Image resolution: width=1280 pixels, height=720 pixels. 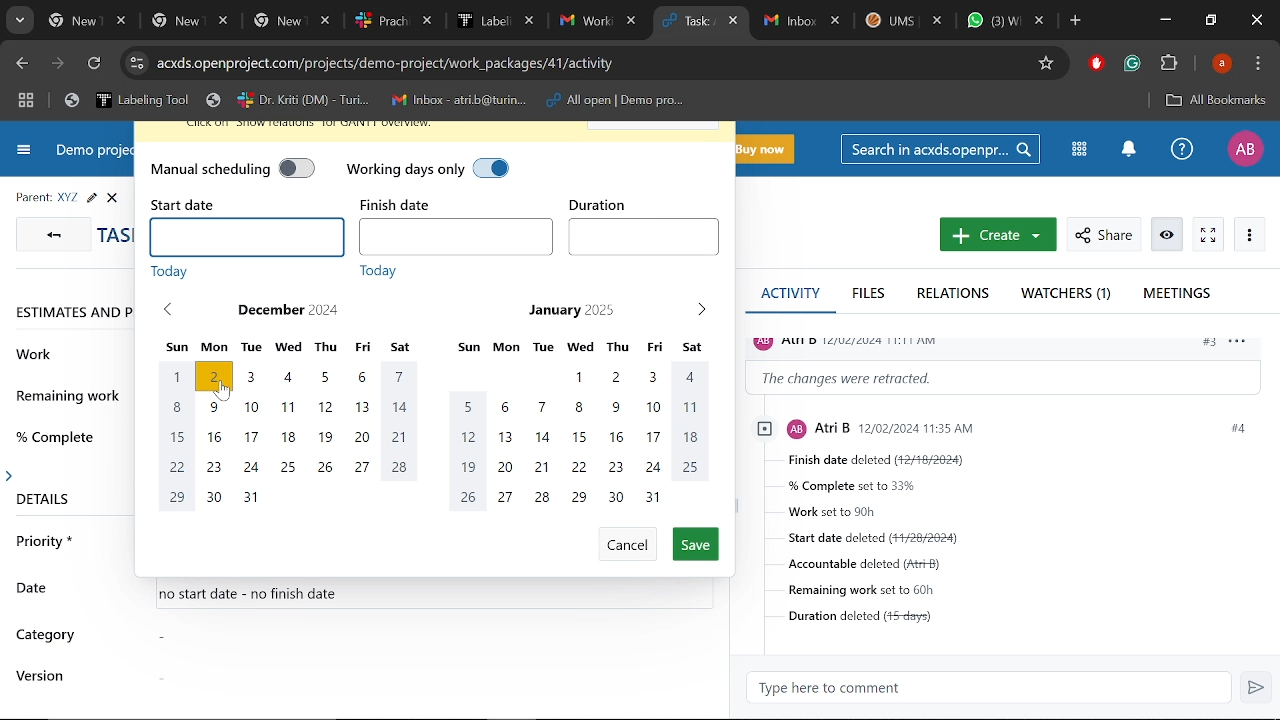 What do you see at coordinates (772, 150) in the screenshot?
I see `Buy now` at bounding box center [772, 150].